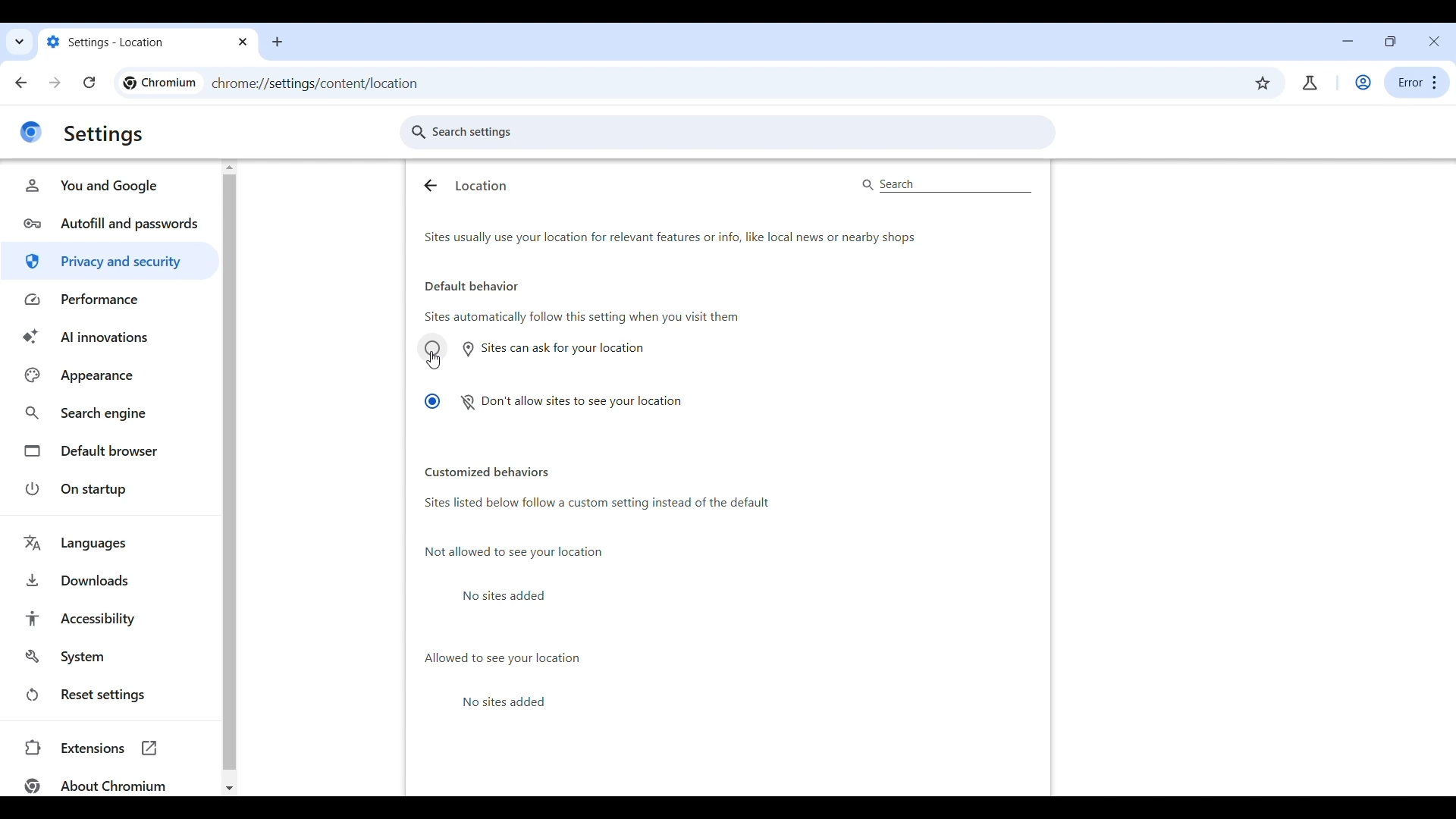 The width and height of the screenshot is (1456, 819). I want to click on No sites added, so click(512, 595).